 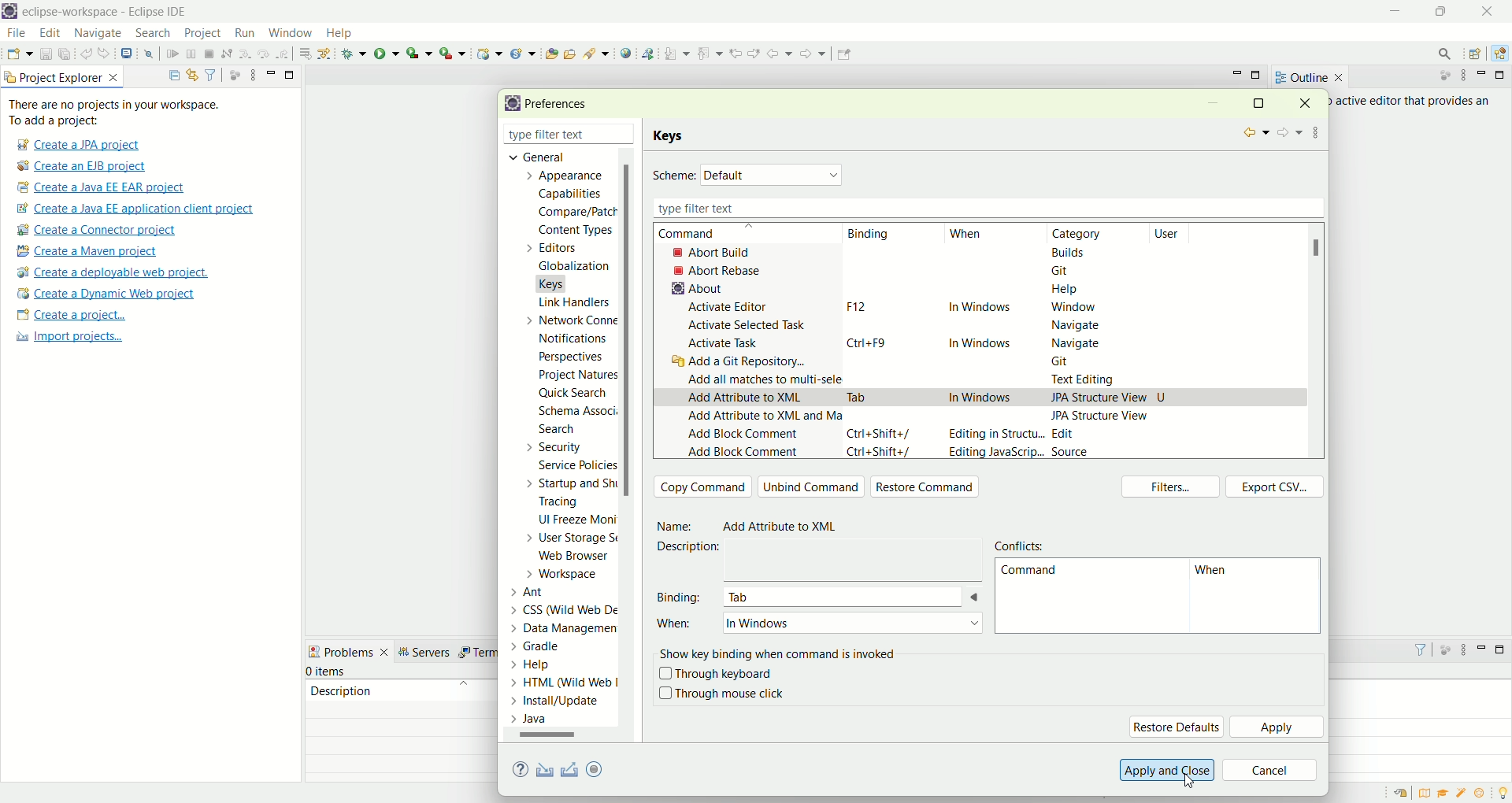 I want to click on F12, so click(x=854, y=306).